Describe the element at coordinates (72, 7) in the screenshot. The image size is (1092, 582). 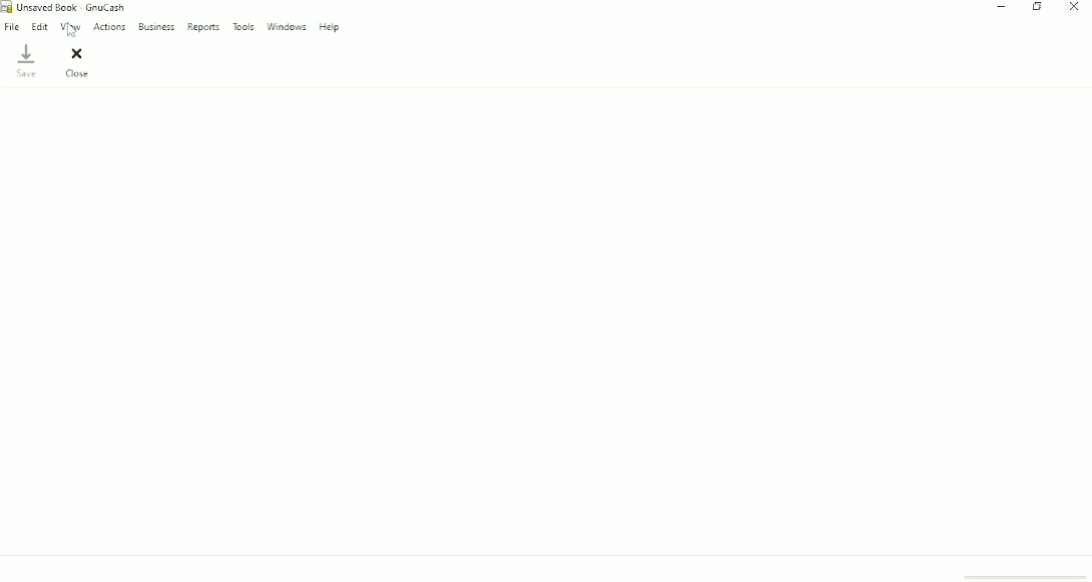
I see `unsaved book - gnucash` at that location.